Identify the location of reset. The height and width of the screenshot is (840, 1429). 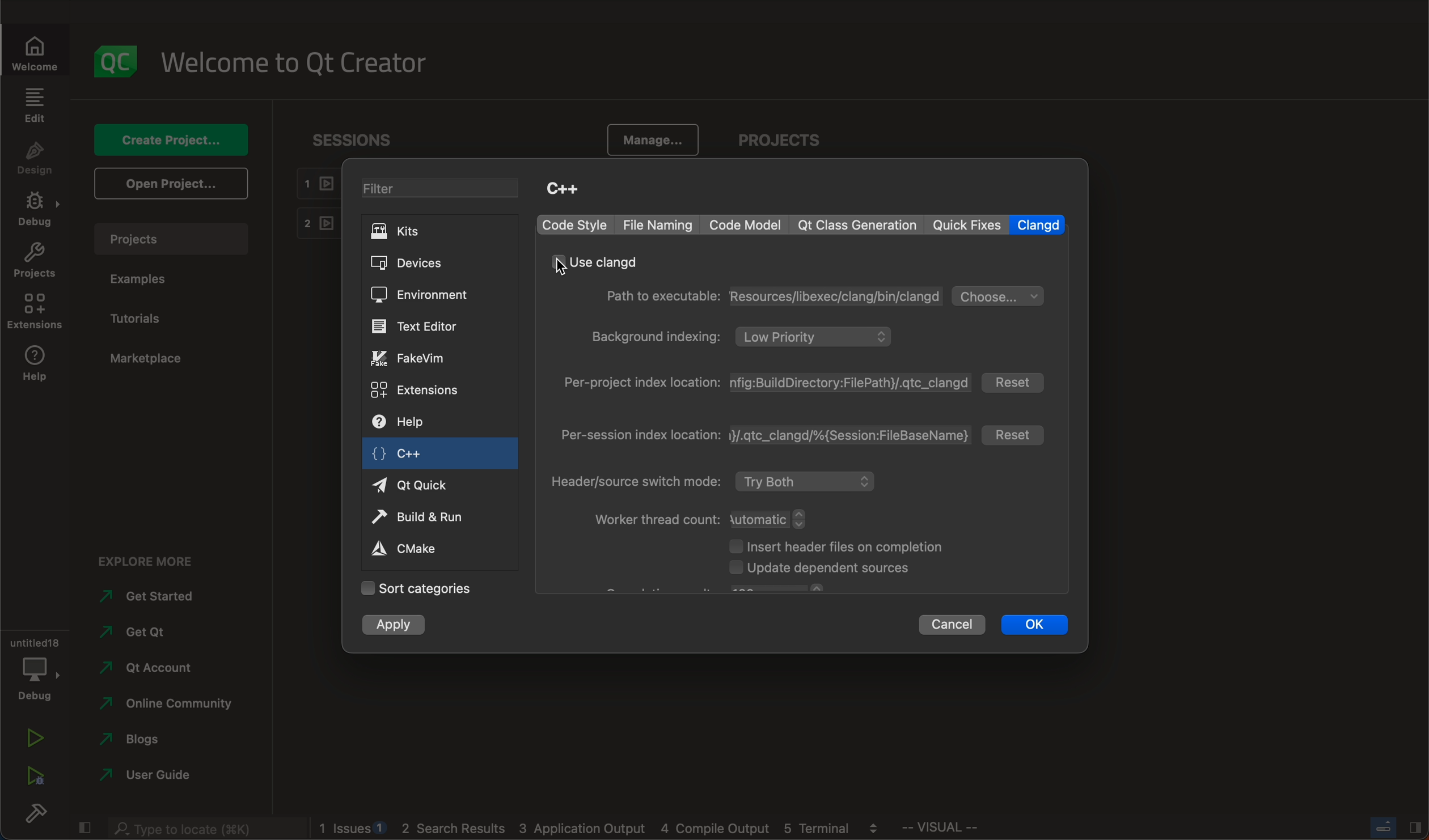
(1013, 434).